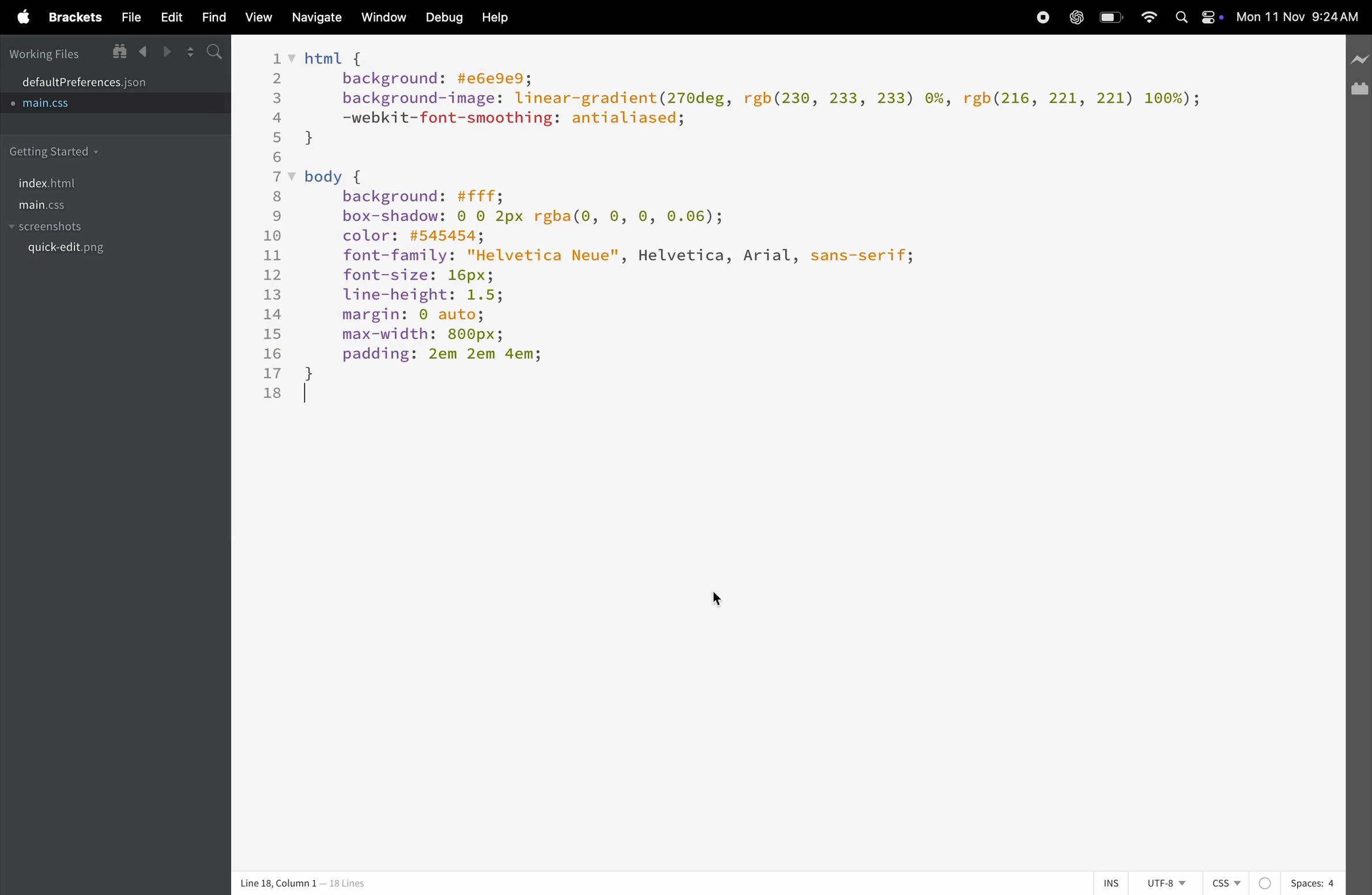 The image size is (1372, 895). I want to click on main.css, so click(58, 107).